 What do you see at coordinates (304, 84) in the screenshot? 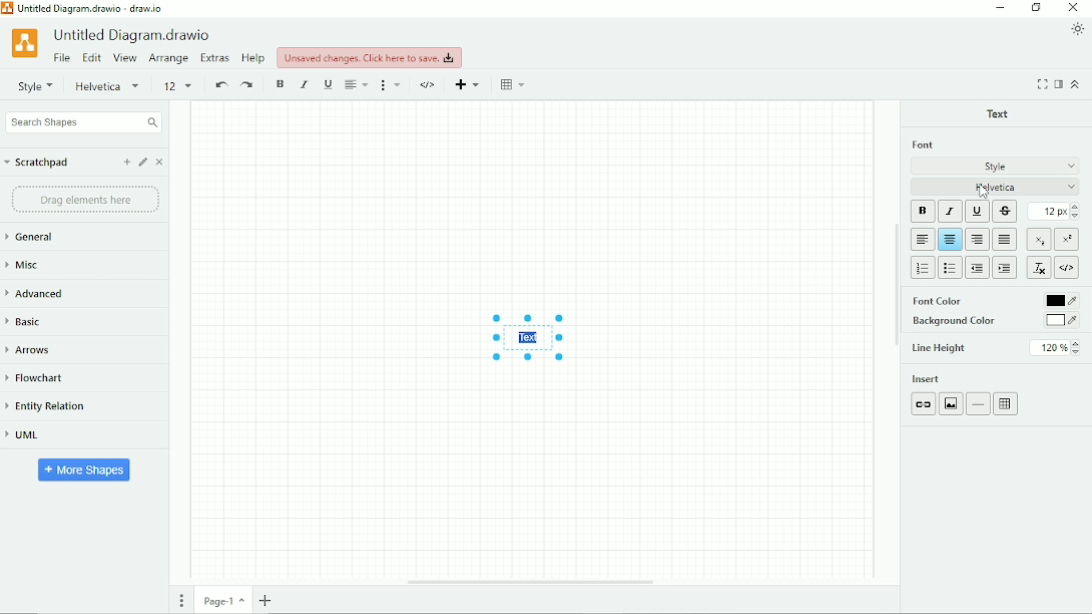
I see `Italic` at bounding box center [304, 84].